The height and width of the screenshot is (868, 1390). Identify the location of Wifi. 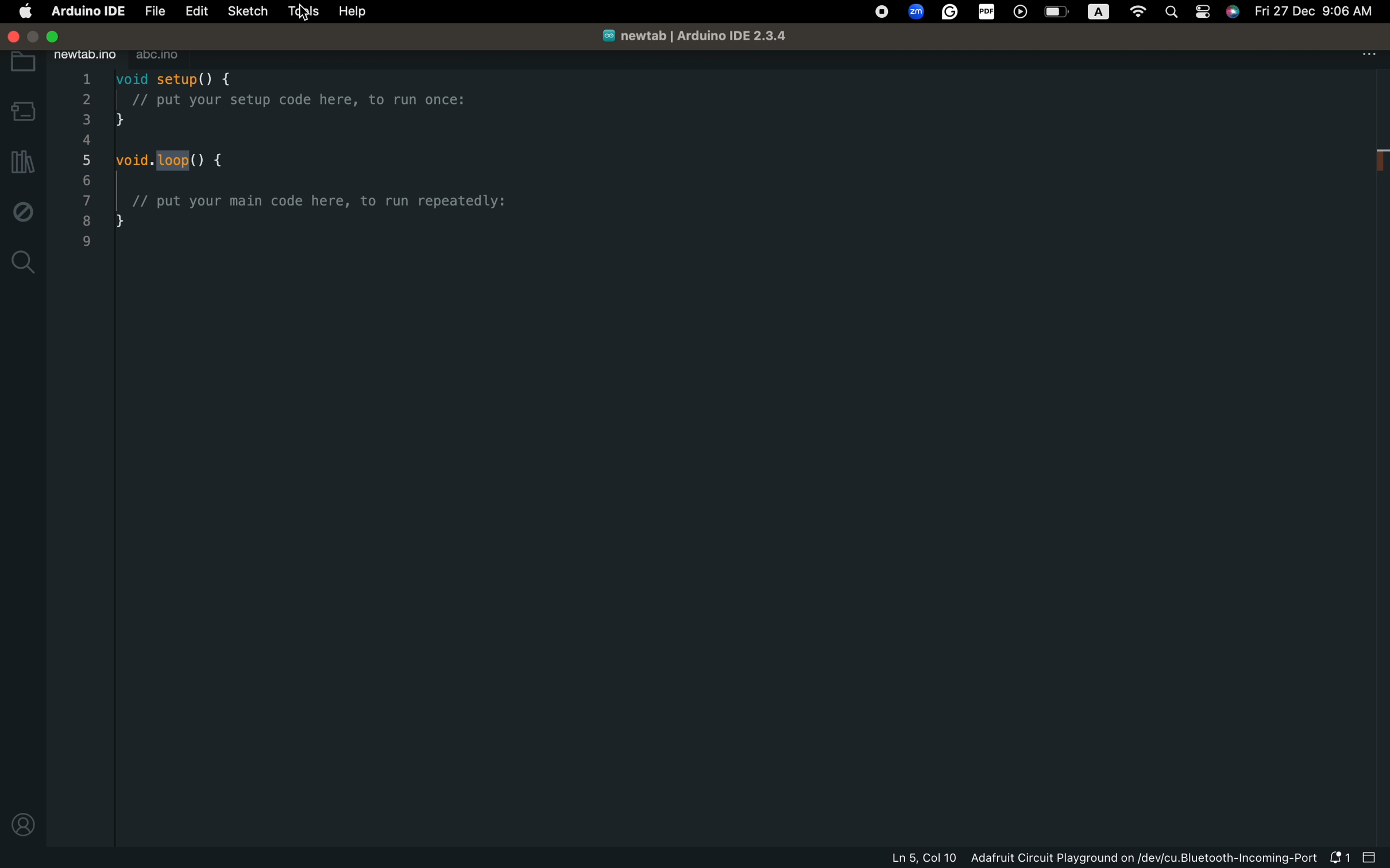
(1139, 9).